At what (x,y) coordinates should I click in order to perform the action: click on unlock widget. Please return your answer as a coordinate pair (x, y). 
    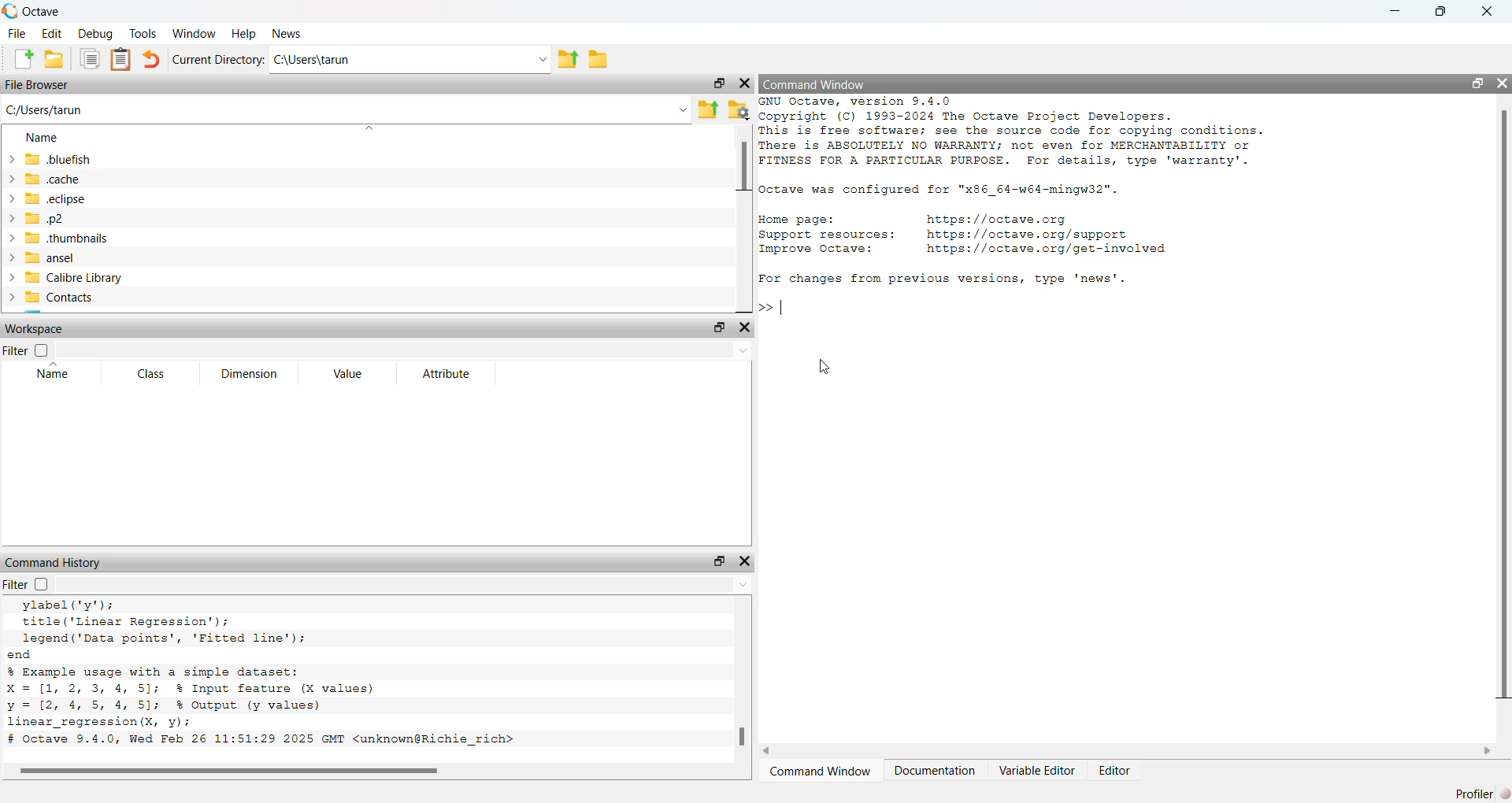
    Looking at the image, I should click on (721, 83).